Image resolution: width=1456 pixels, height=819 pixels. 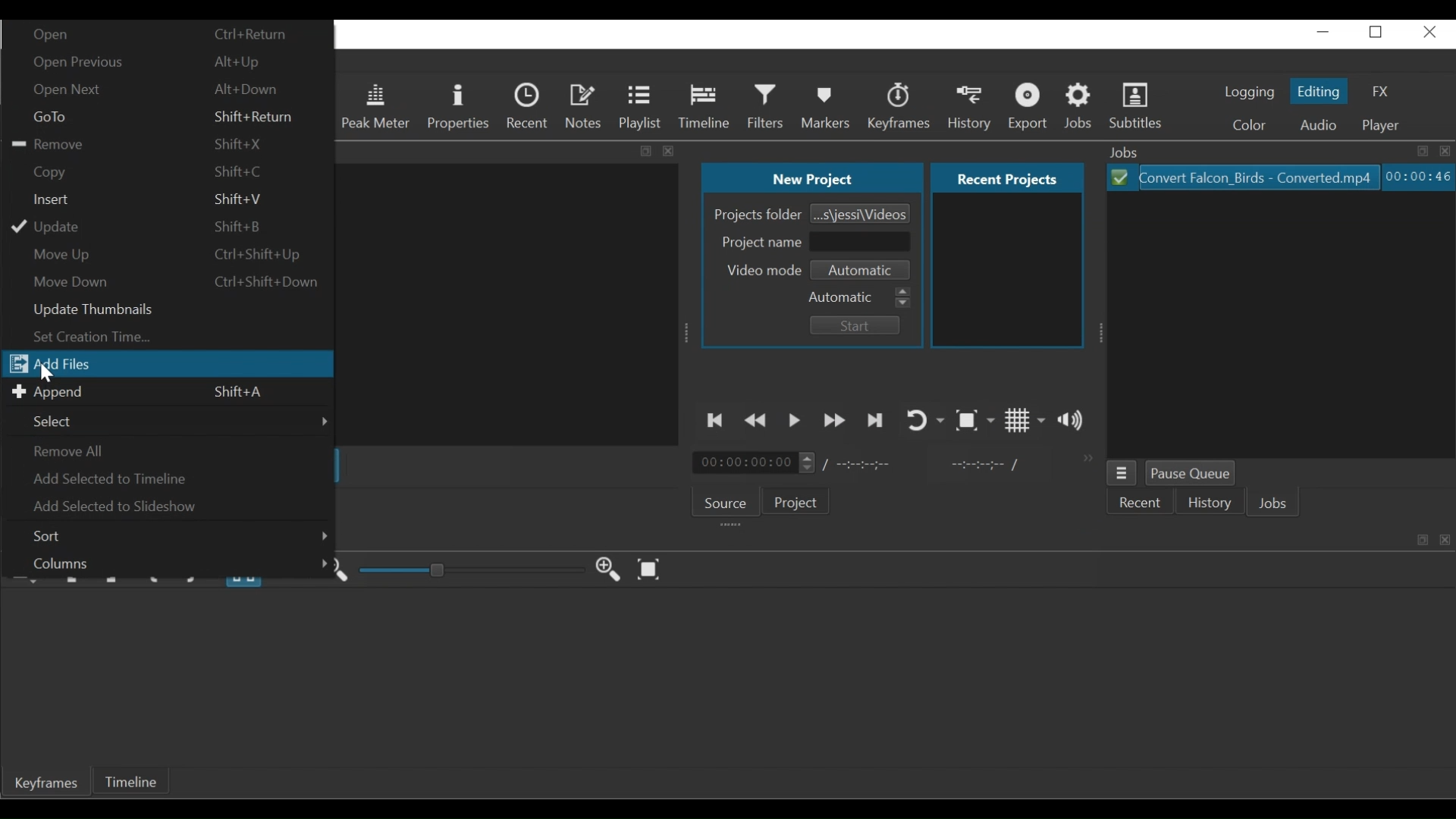 What do you see at coordinates (47, 784) in the screenshot?
I see `Keyframe Tab` at bounding box center [47, 784].